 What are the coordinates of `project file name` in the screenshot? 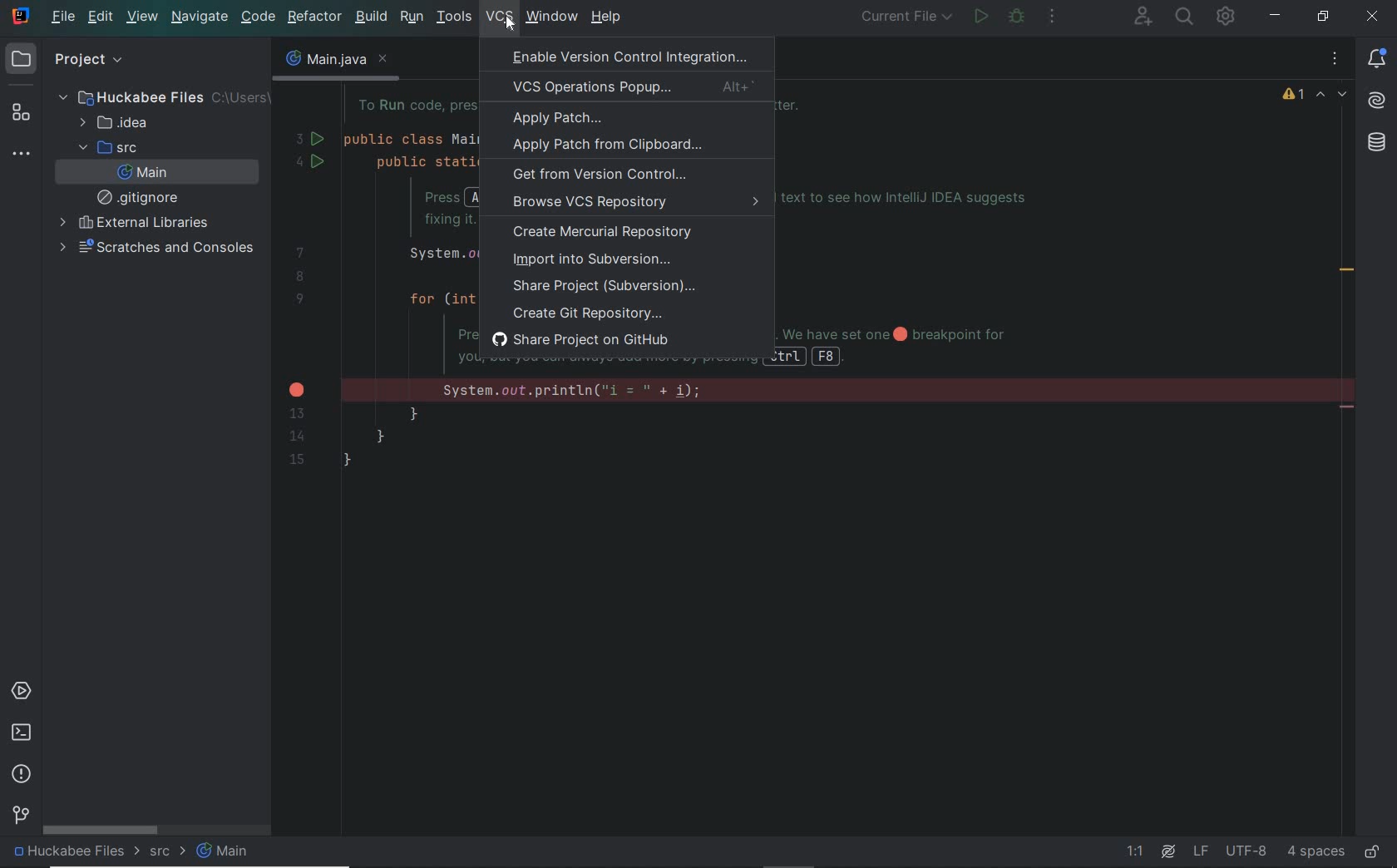 It's located at (70, 855).